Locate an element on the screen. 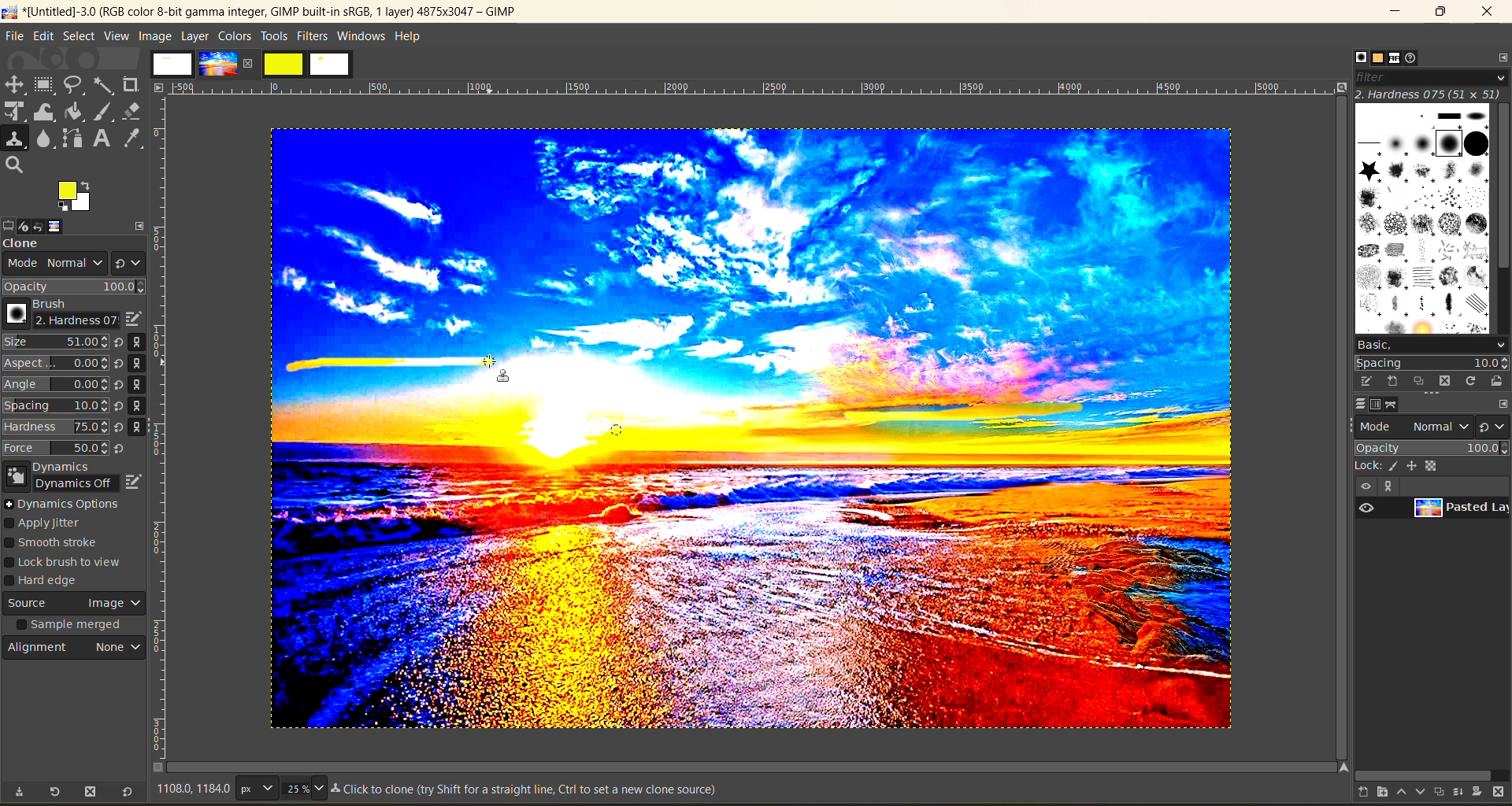  file is located at coordinates (15, 35).